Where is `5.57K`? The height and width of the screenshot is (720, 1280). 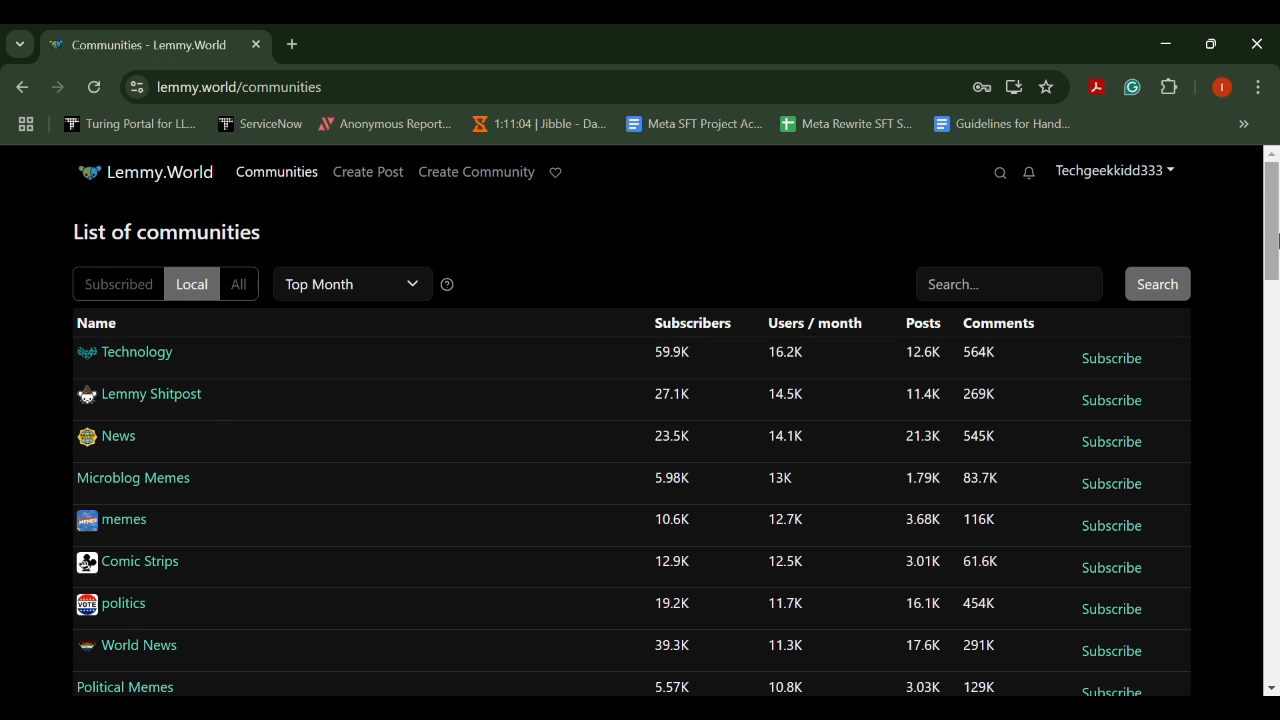 5.57K is located at coordinates (674, 689).